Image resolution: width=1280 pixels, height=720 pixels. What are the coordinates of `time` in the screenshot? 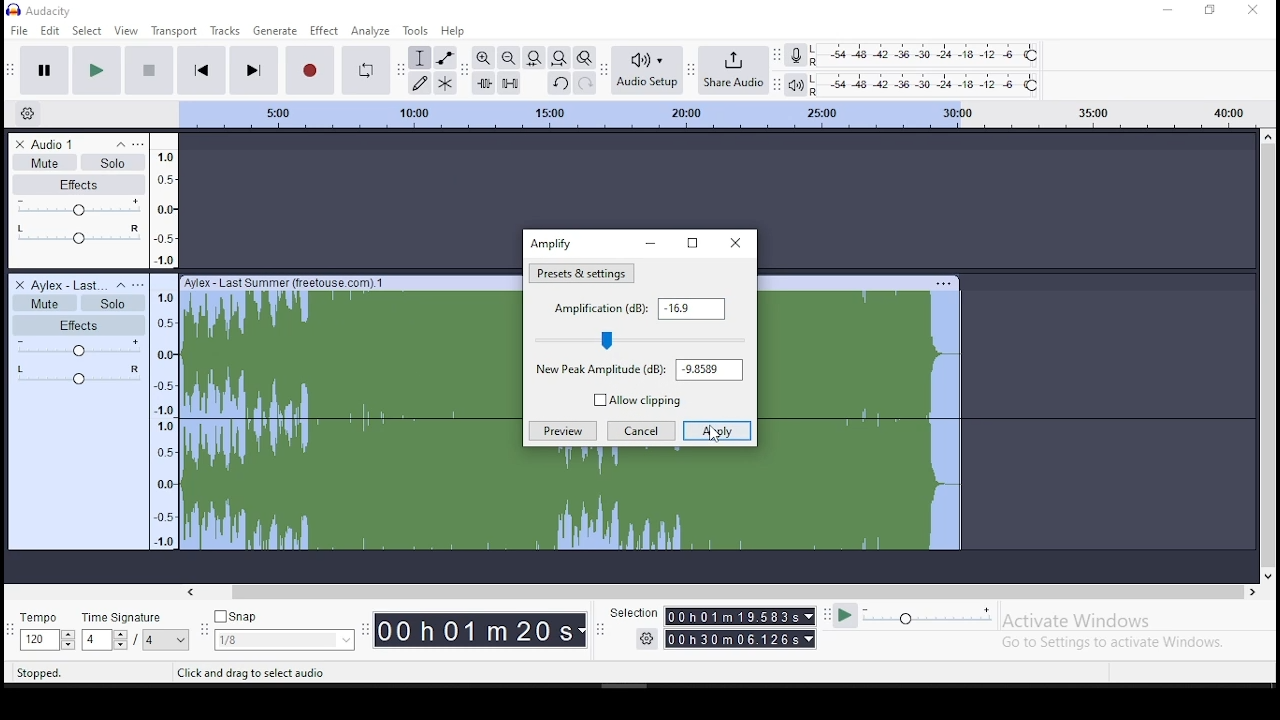 It's located at (482, 632).